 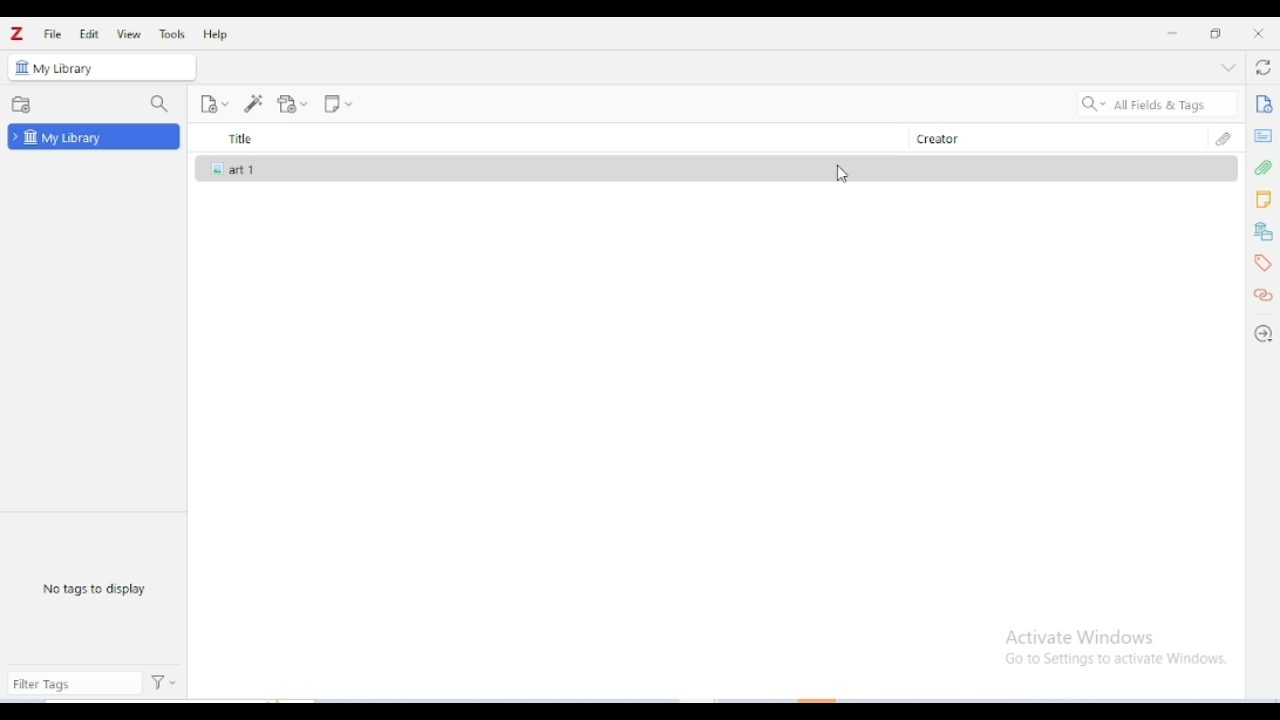 I want to click on view, so click(x=128, y=34).